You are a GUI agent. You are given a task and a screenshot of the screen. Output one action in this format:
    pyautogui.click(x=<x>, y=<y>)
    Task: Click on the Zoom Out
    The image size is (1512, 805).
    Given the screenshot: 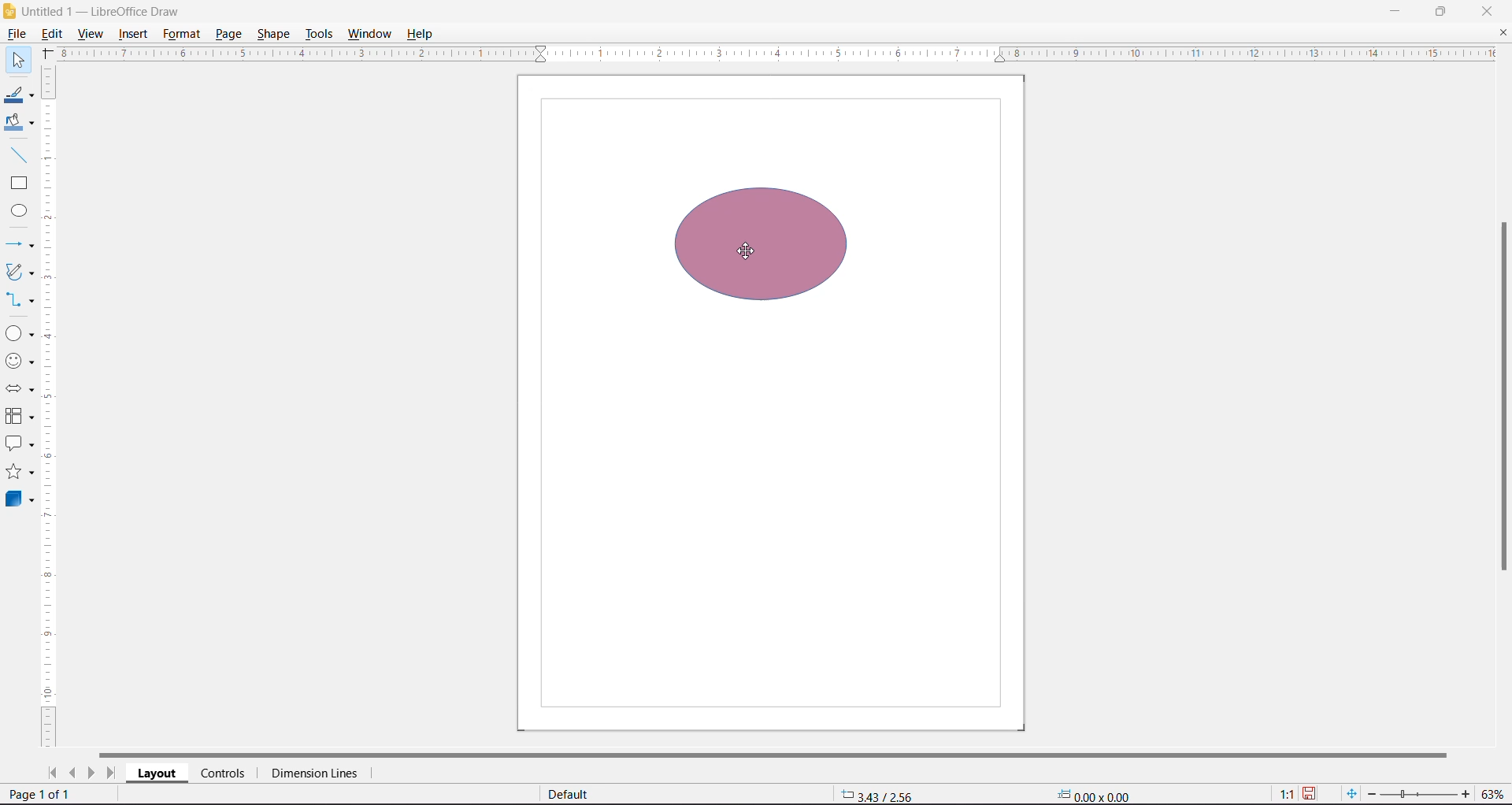 What is the action you would take?
    pyautogui.click(x=1371, y=795)
    